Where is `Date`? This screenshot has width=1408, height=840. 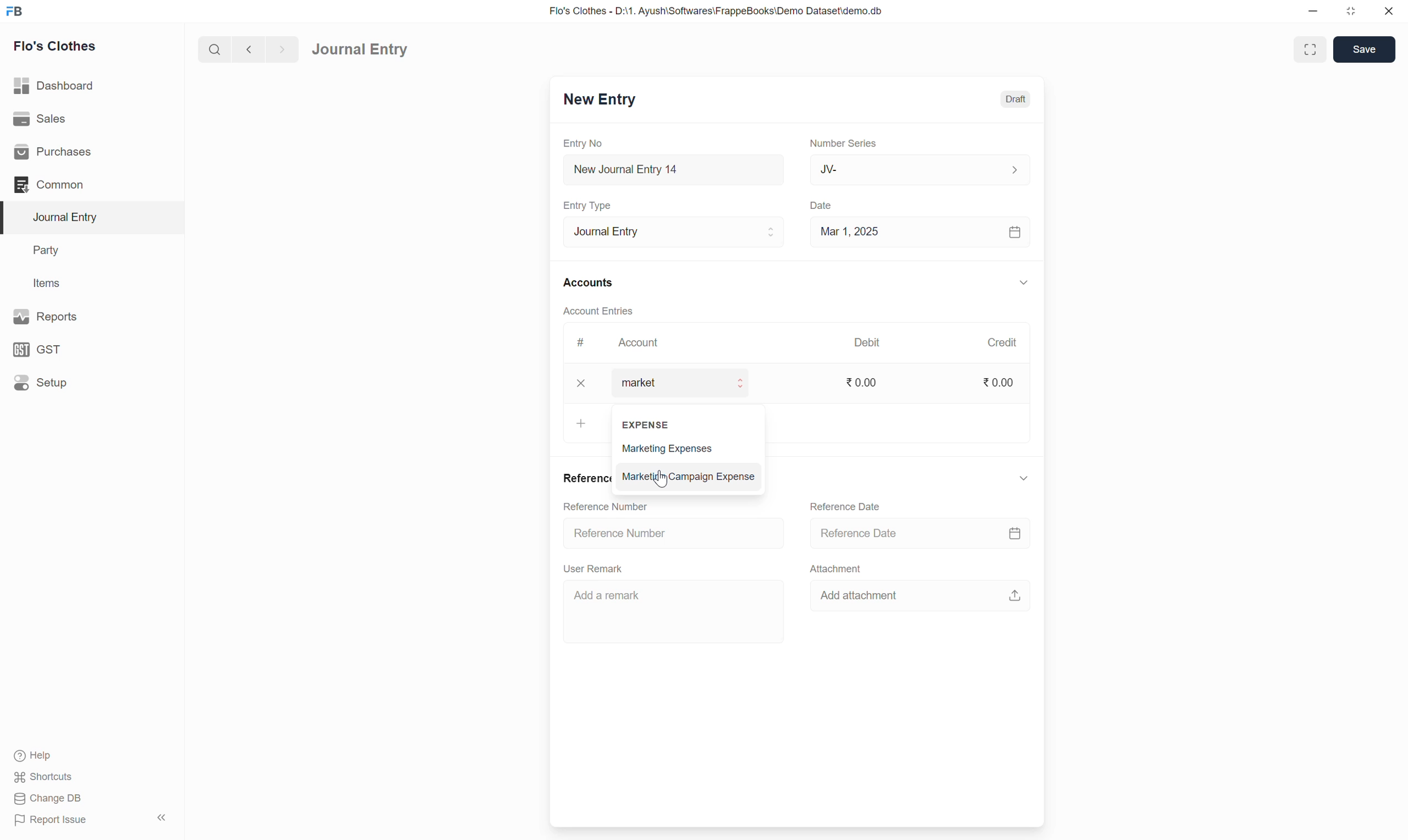
Date is located at coordinates (824, 206).